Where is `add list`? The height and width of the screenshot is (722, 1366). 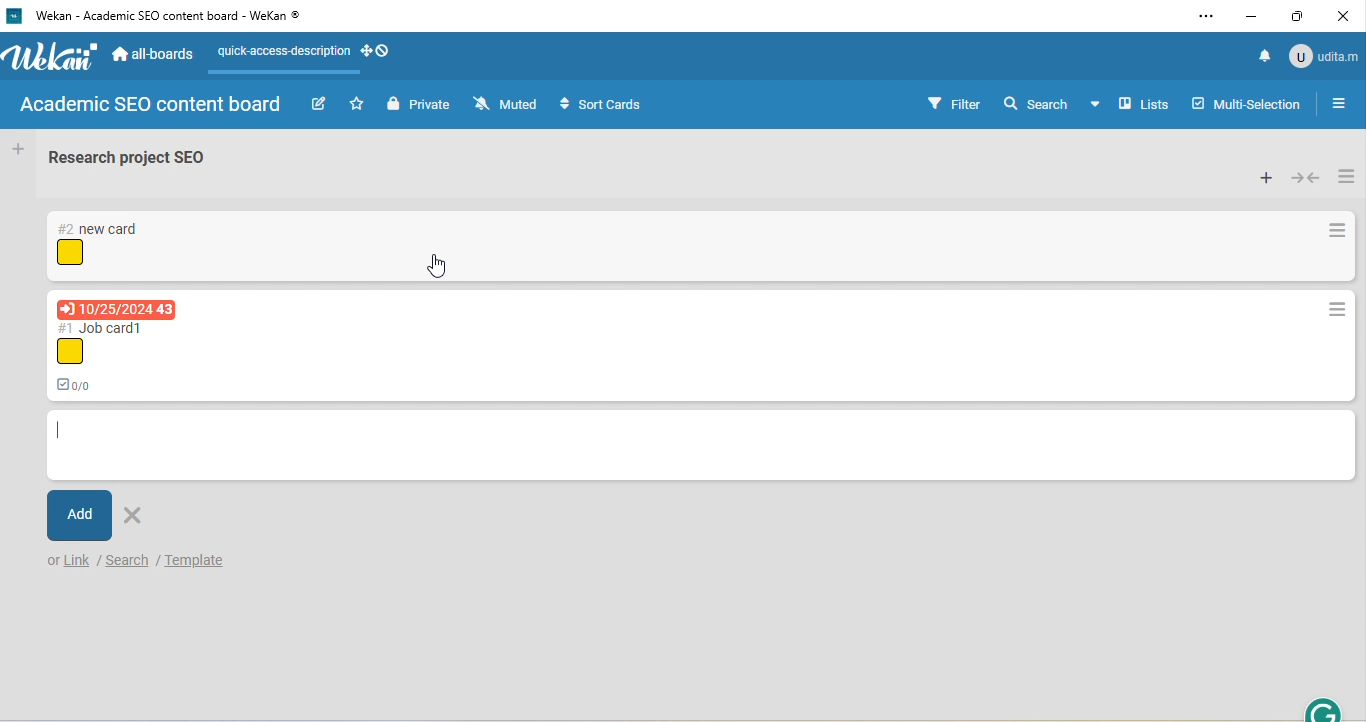 add list is located at coordinates (17, 149).